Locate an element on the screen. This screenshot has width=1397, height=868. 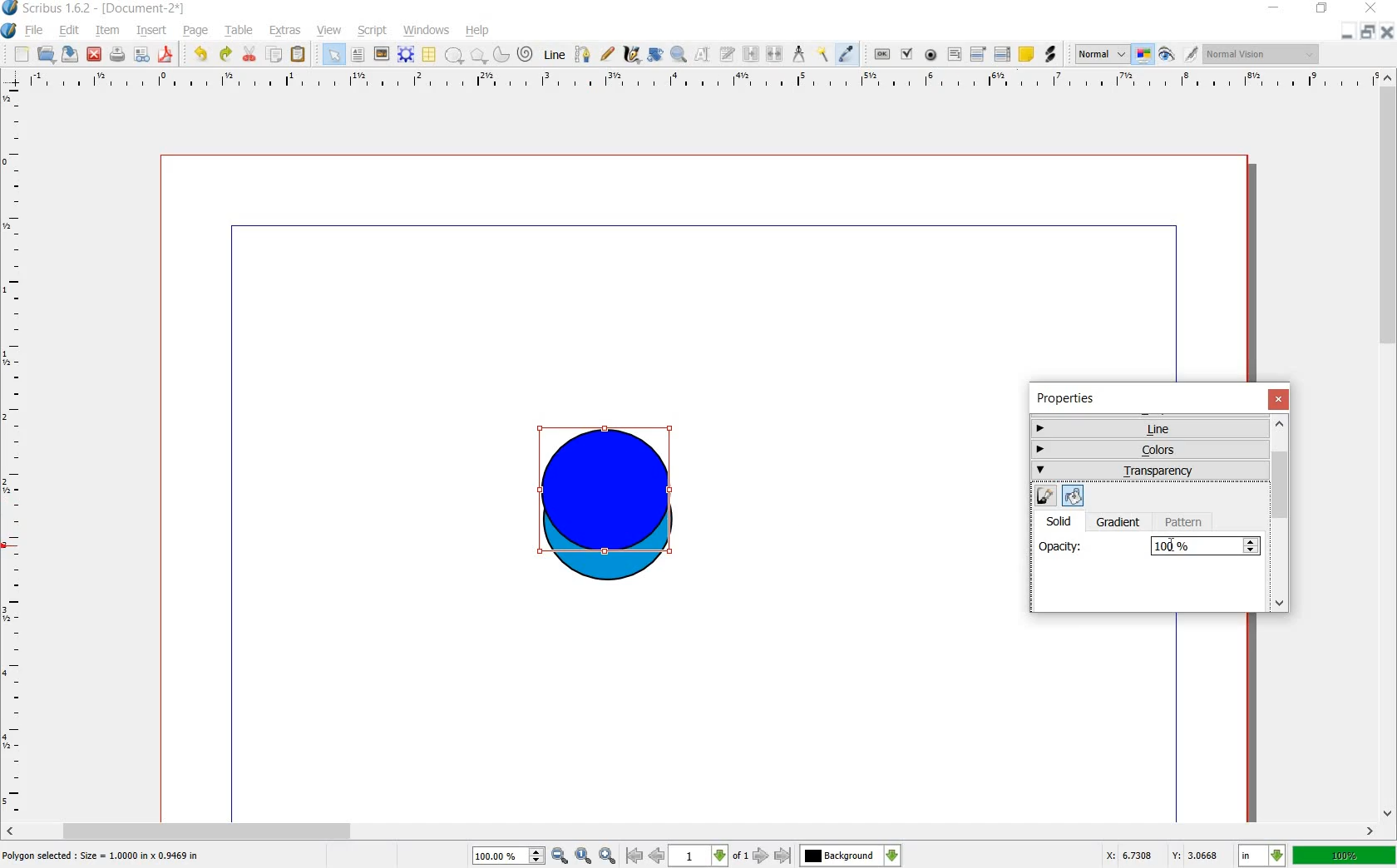
pdf radio button is located at coordinates (930, 55).